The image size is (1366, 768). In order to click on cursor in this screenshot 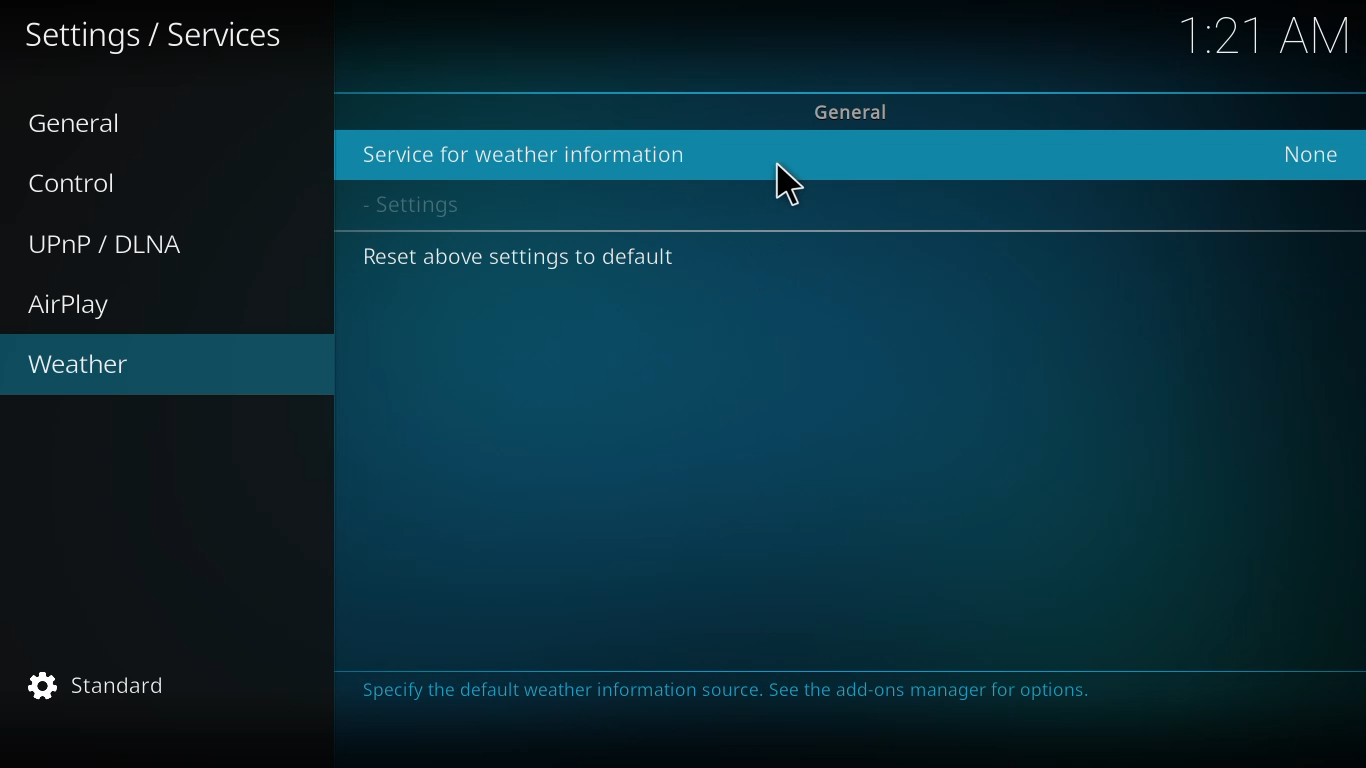, I will do `click(787, 185)`.